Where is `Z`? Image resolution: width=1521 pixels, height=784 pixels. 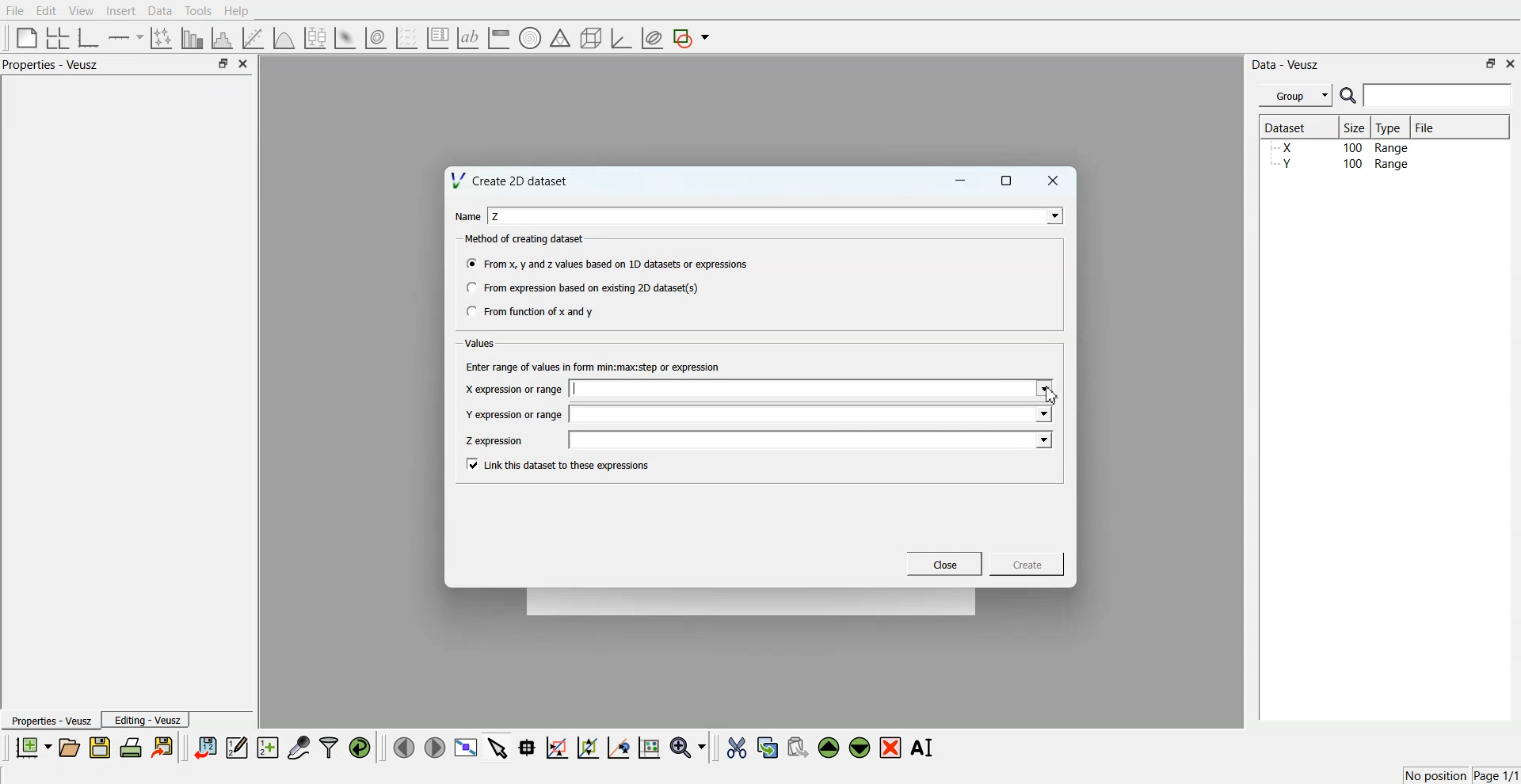
Z is located at coordinates (497, 216).